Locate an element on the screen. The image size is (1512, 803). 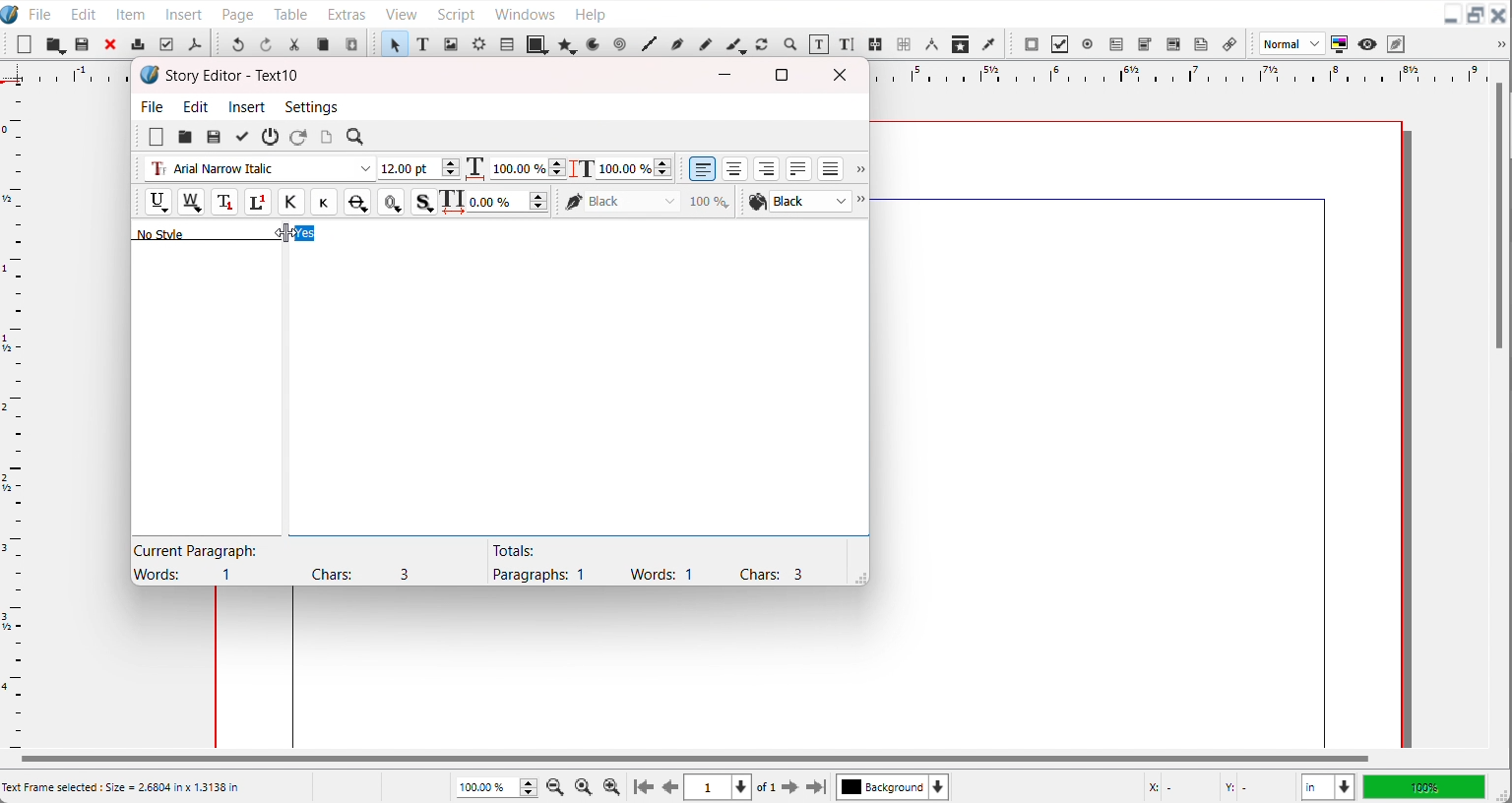
Update text frame is located at coordinates (326, 137).